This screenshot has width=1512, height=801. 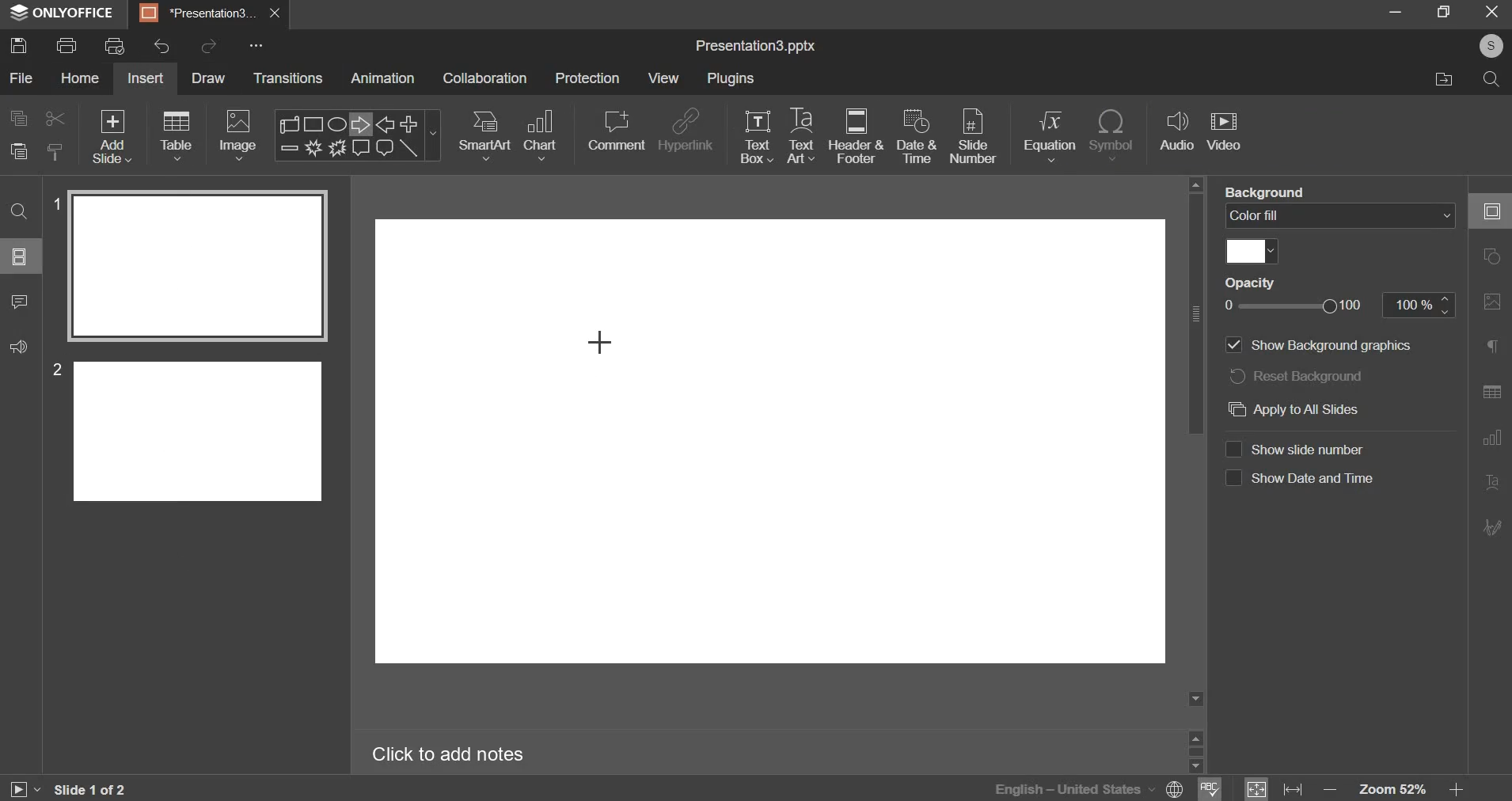 I want to click on copy, so click(x=19, y=118).